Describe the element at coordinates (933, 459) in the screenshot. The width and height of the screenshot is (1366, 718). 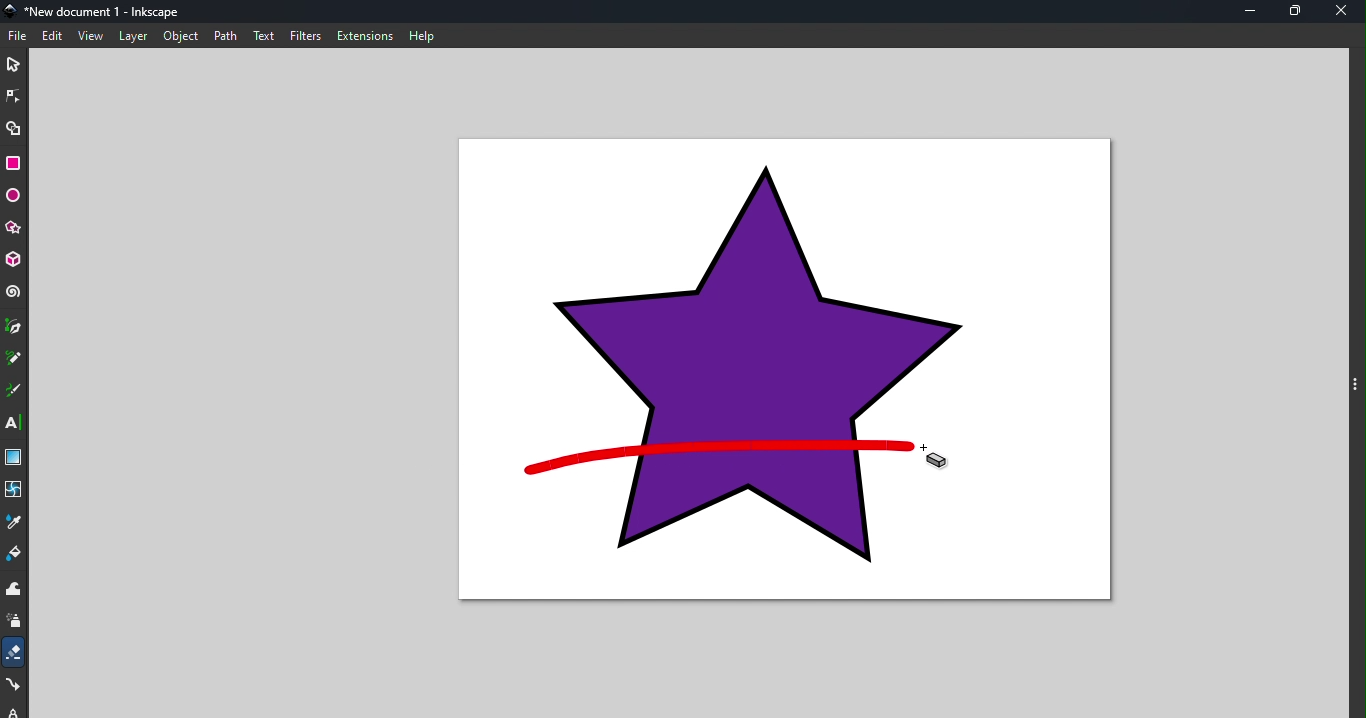
I see `cursor` at that location.